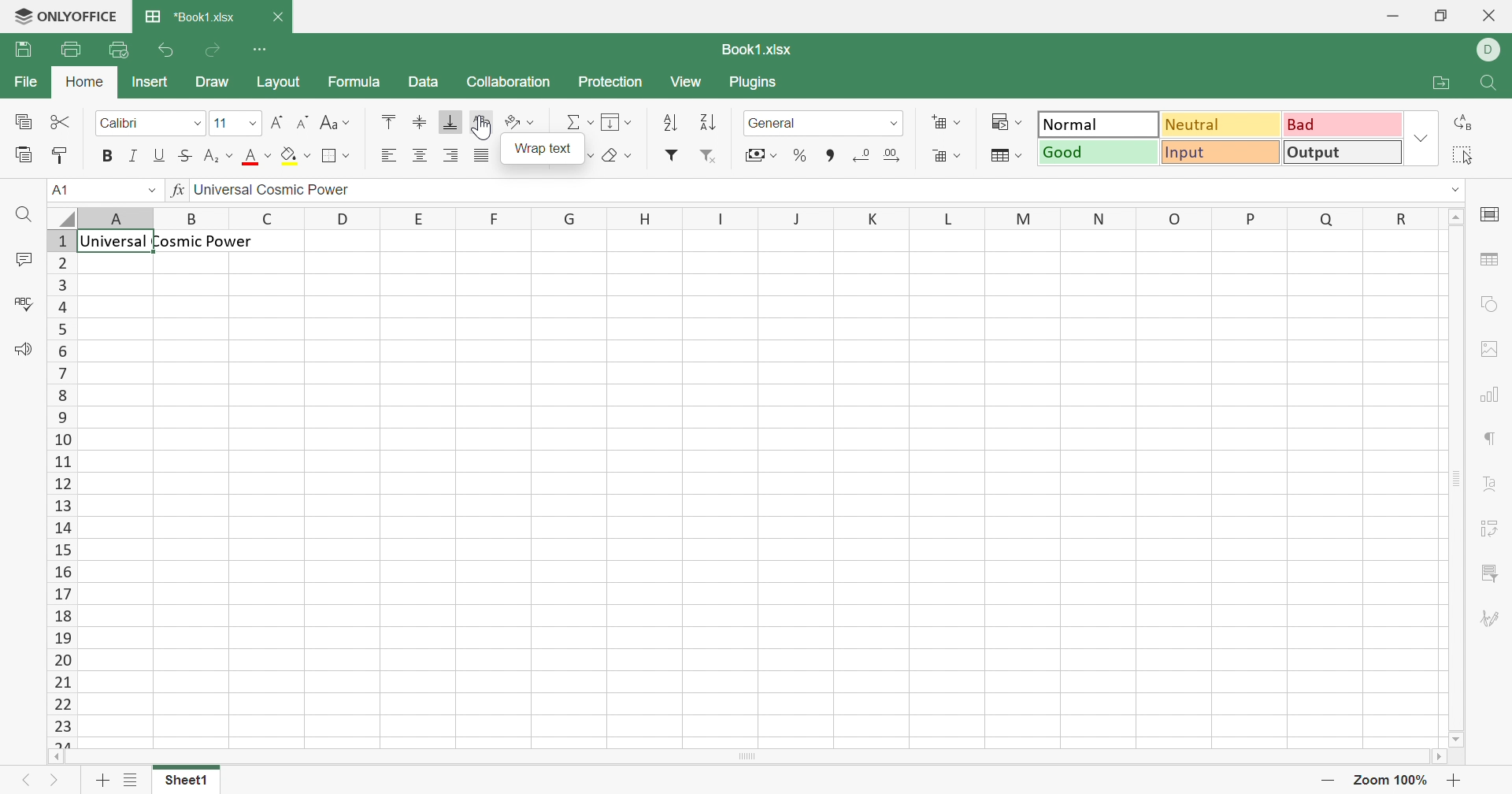 The width and height of the screenshot is (1512, 794). I want to click on Data, so click(428, 82).